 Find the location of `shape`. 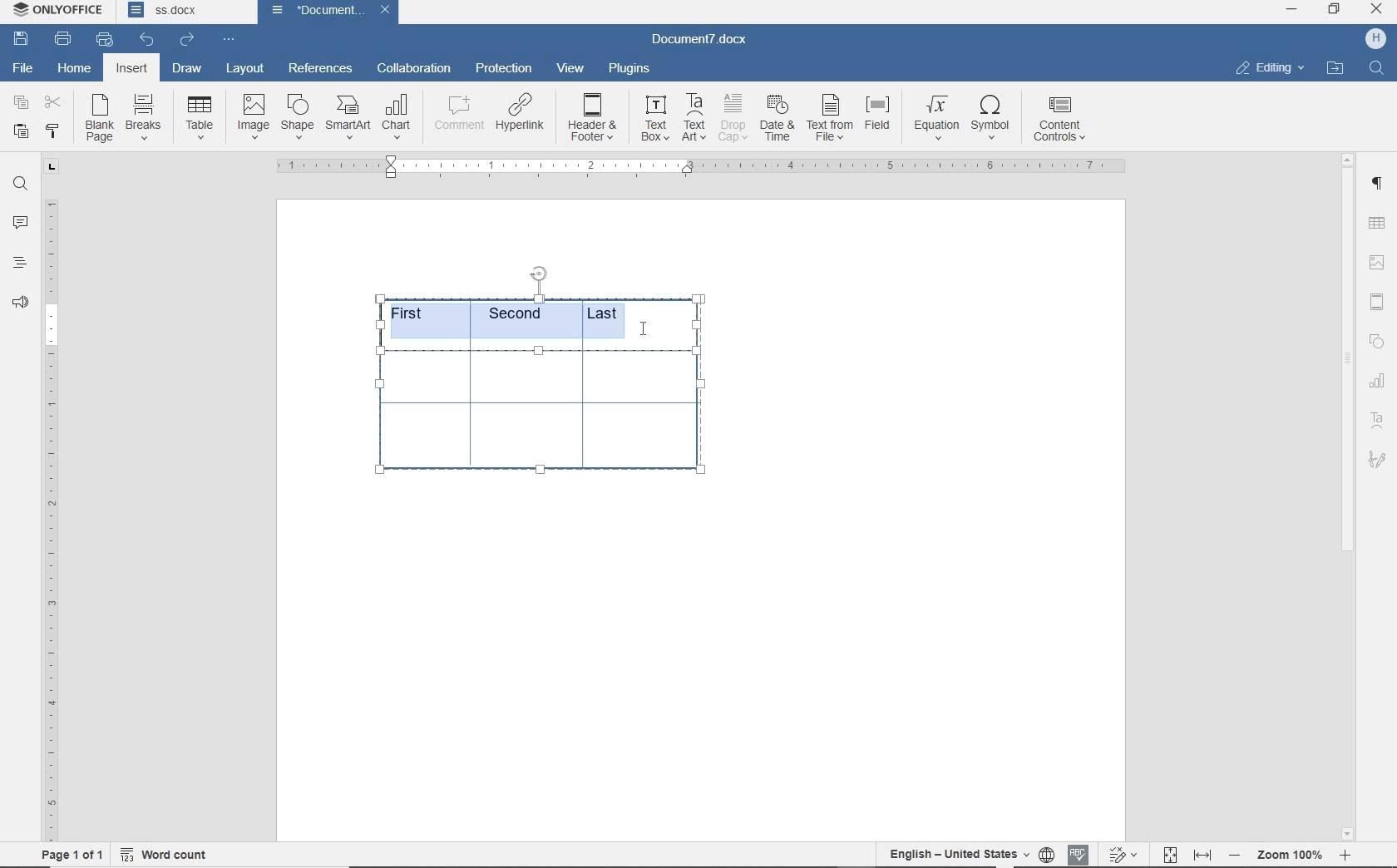

shape is located at coordinates (298, 116).